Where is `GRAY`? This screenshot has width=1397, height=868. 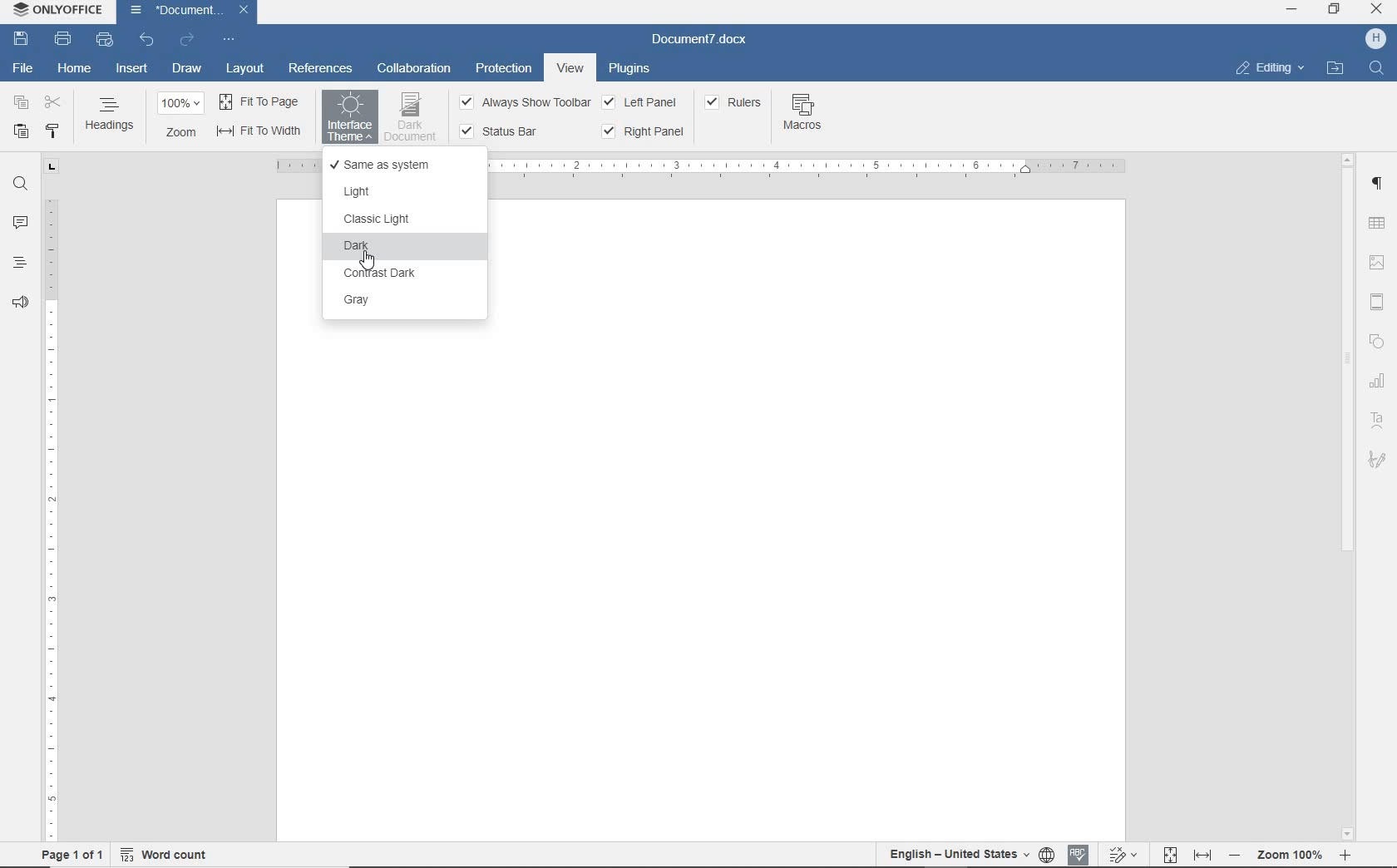
GRAY is located at coordinates (373, 301).